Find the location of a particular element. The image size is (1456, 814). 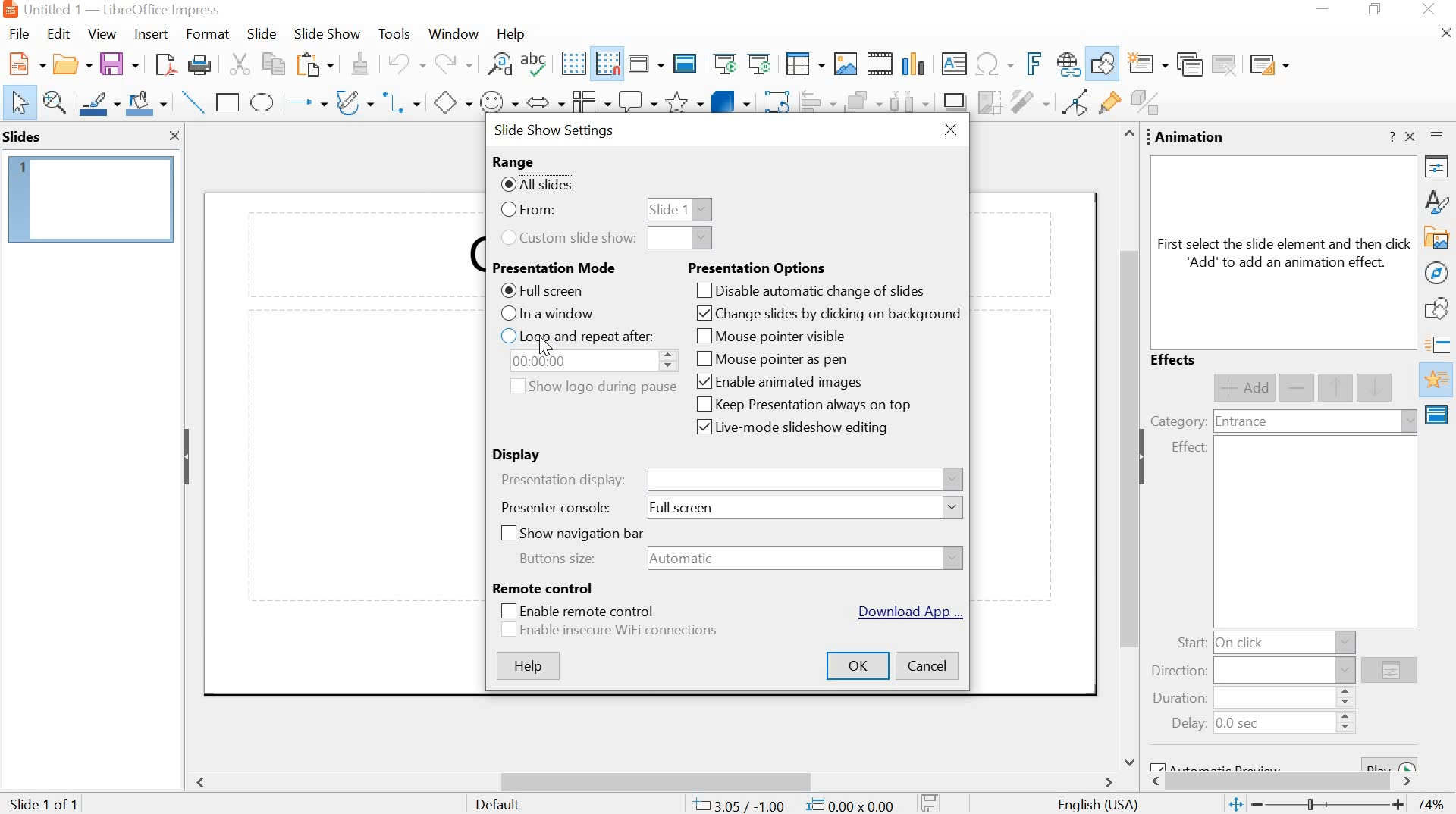

on click is located at coordinates (1243, 642).